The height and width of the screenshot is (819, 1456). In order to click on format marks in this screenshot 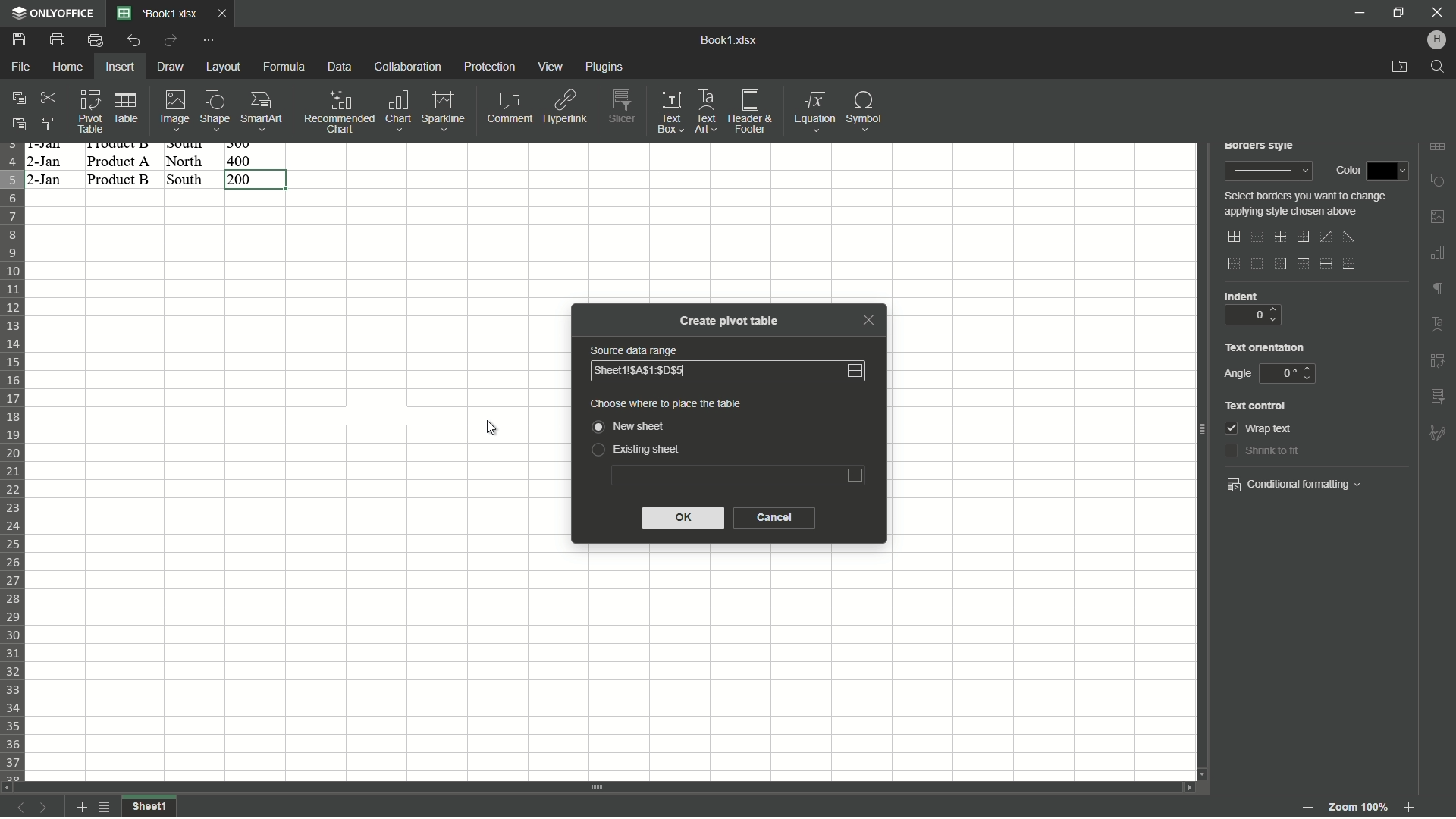, I will do `click(1438, 290)`.